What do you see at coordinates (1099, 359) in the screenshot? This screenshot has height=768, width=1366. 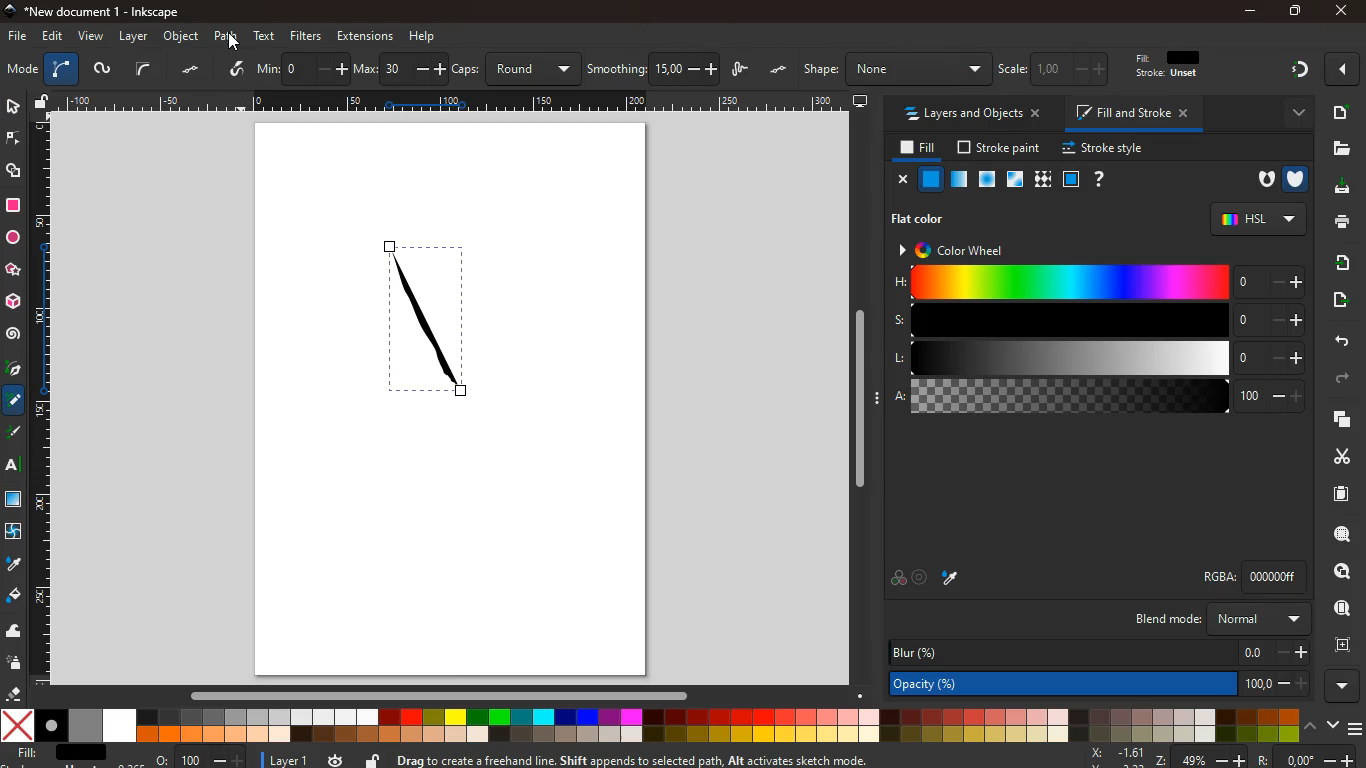 I see `l` at bounding box center [1099, 359].